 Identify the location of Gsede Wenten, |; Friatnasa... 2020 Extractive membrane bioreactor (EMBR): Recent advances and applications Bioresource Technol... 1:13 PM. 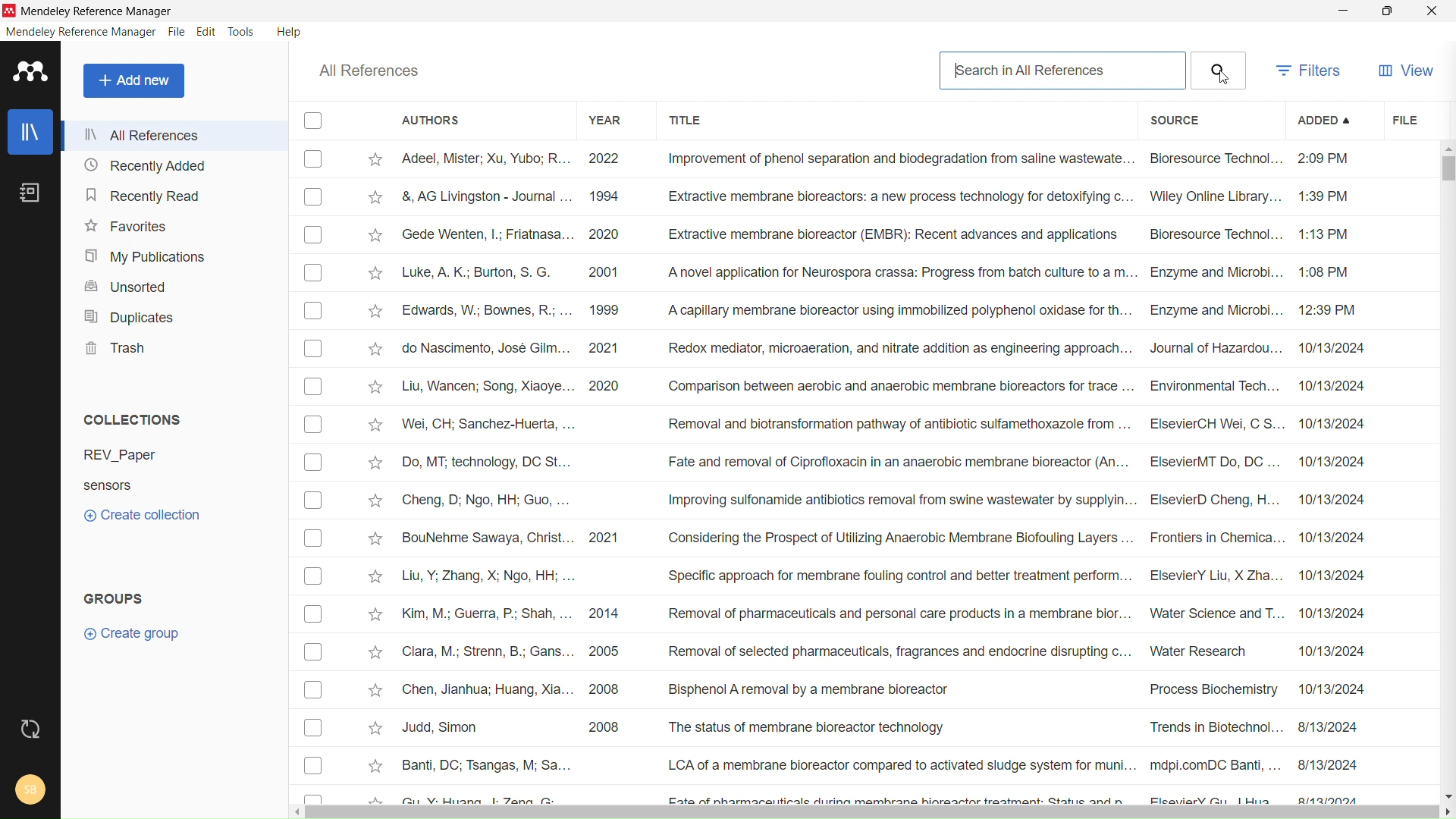
(902, 234).